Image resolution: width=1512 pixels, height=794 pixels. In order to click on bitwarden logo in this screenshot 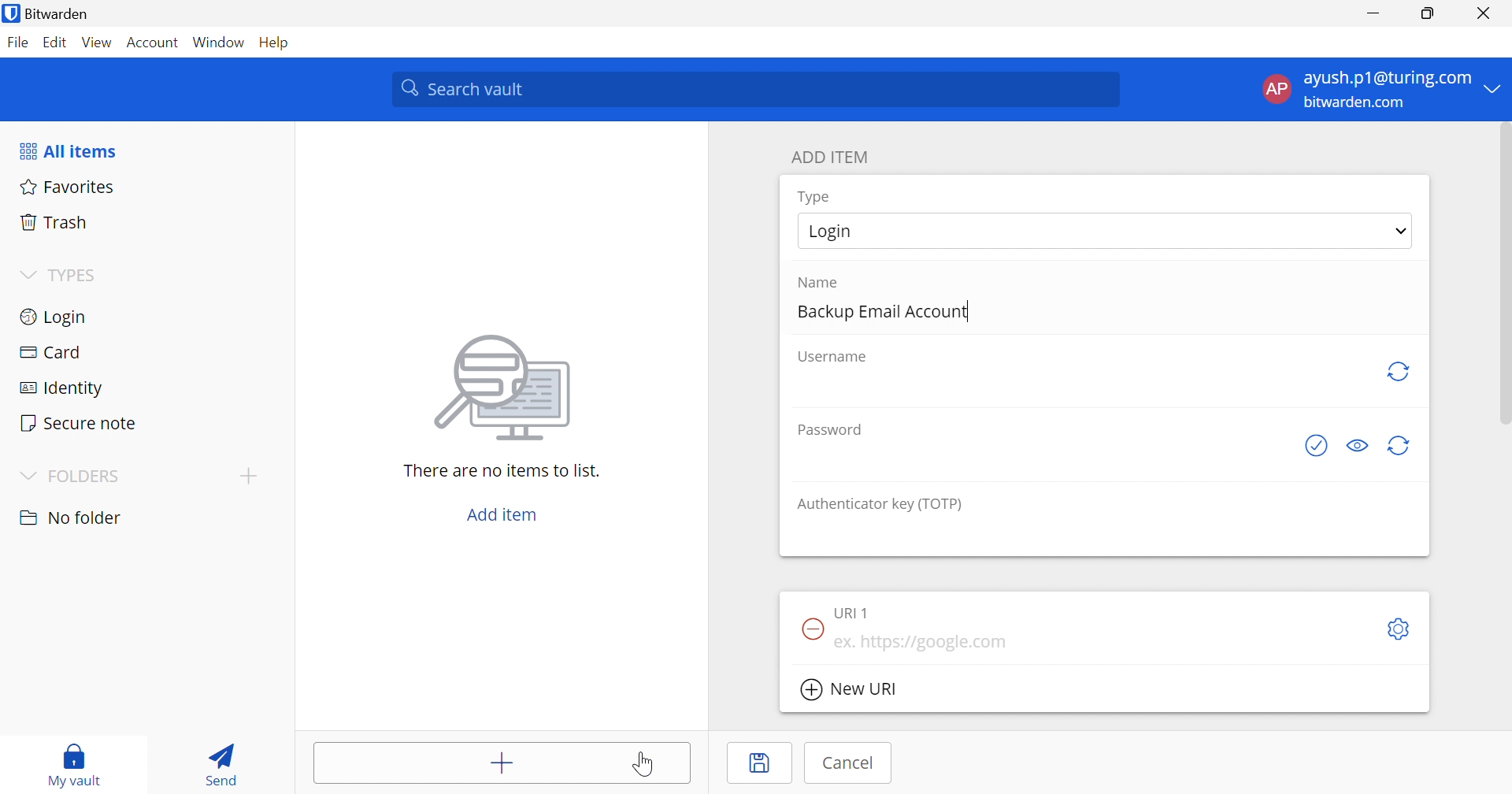, I will do `click(11, 13)`.